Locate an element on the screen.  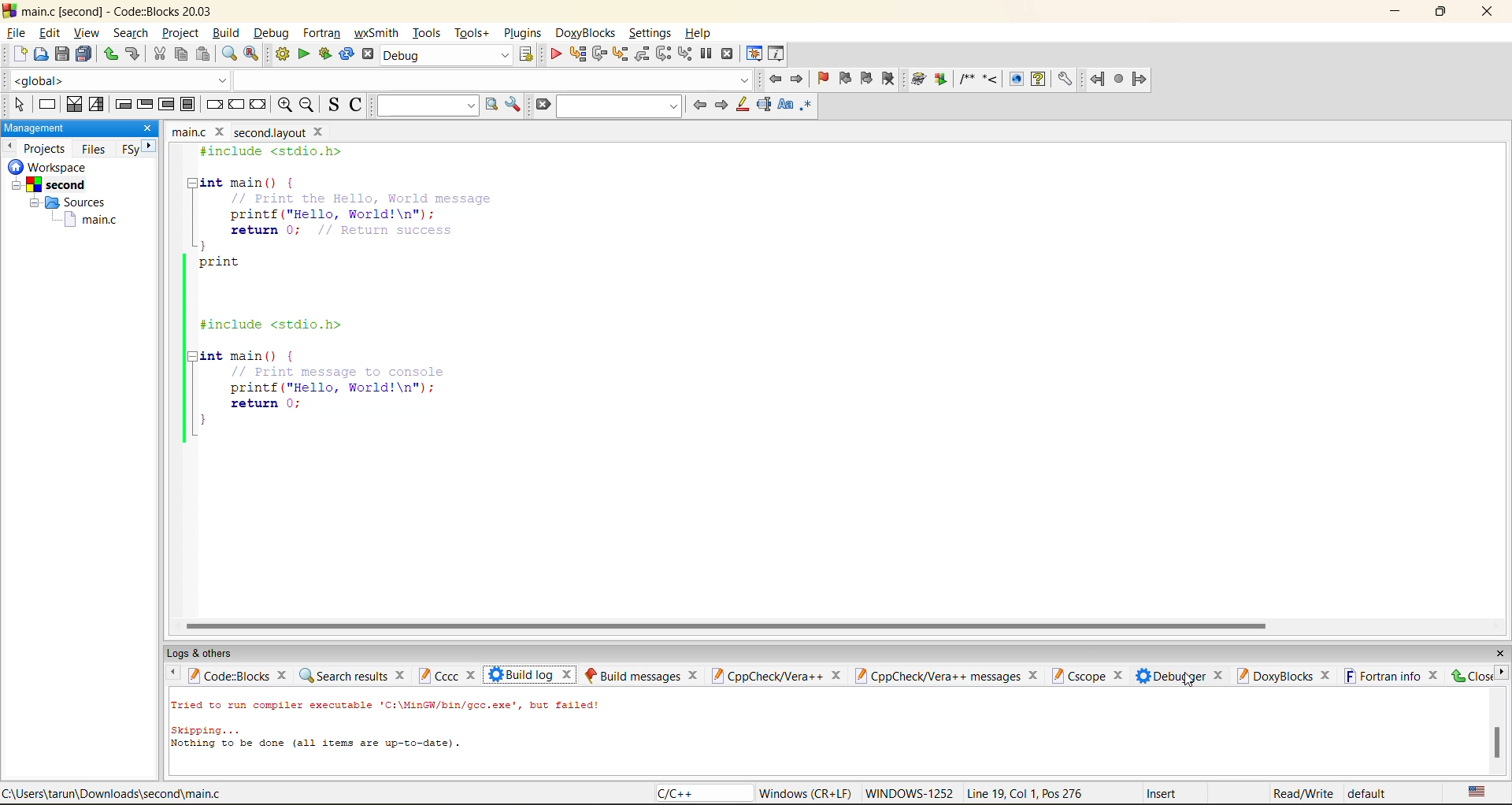
use regex is located at coordinates (807, 108).